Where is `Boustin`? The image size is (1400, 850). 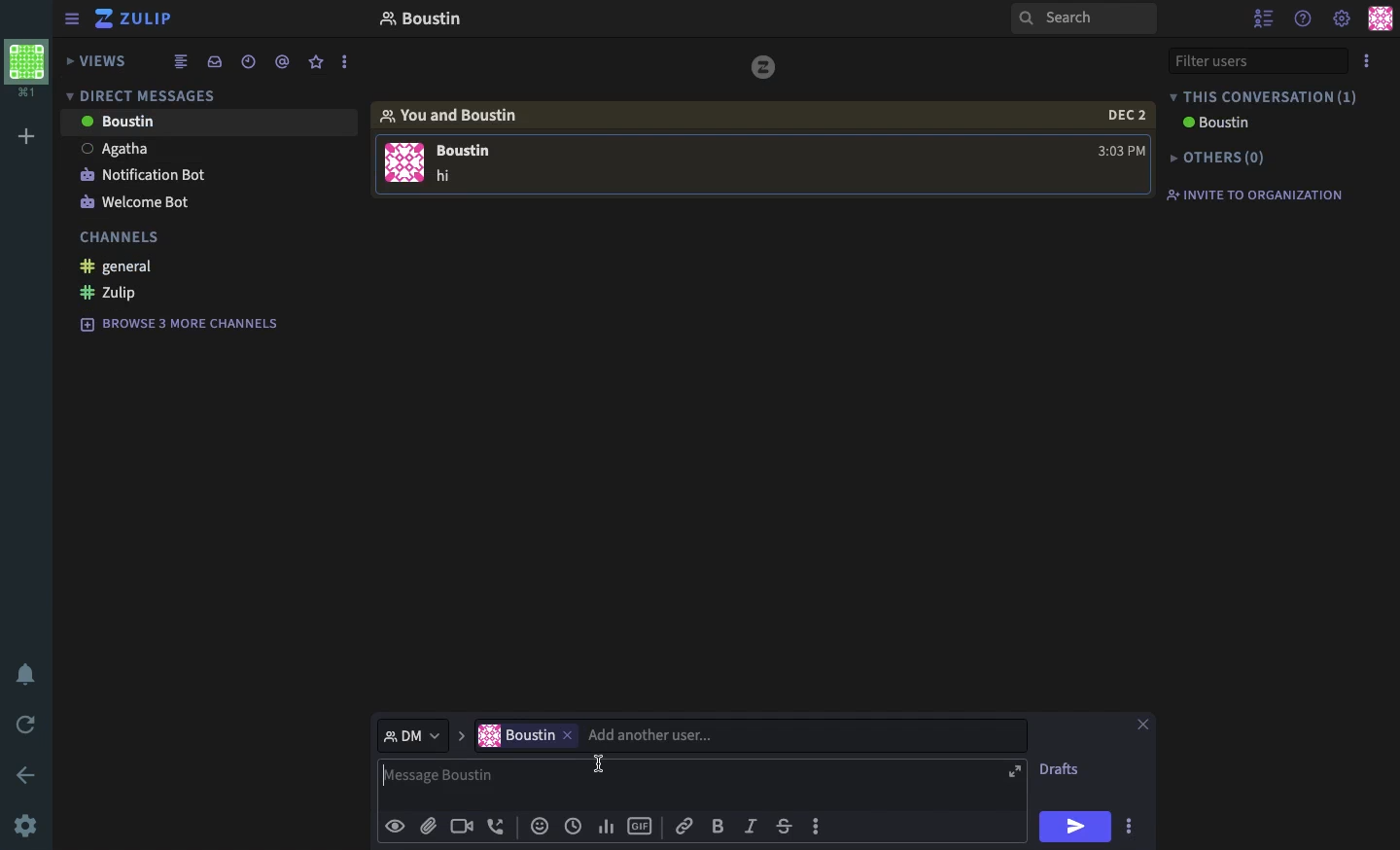 Boustin is located at coordinates (118, 121).